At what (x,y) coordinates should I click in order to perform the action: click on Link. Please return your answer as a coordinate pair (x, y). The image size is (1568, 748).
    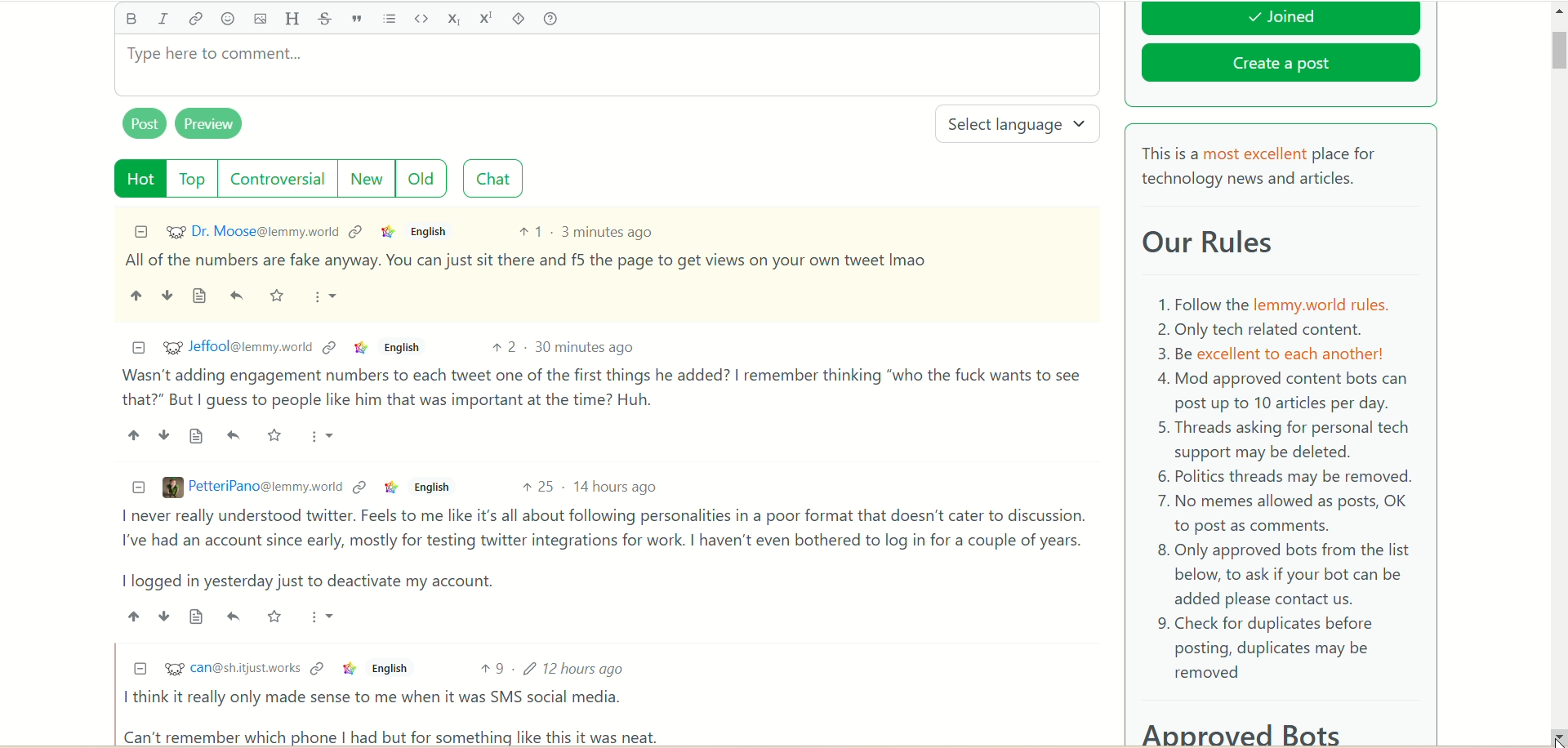
    Looking at the image, I should click on (331, 347).